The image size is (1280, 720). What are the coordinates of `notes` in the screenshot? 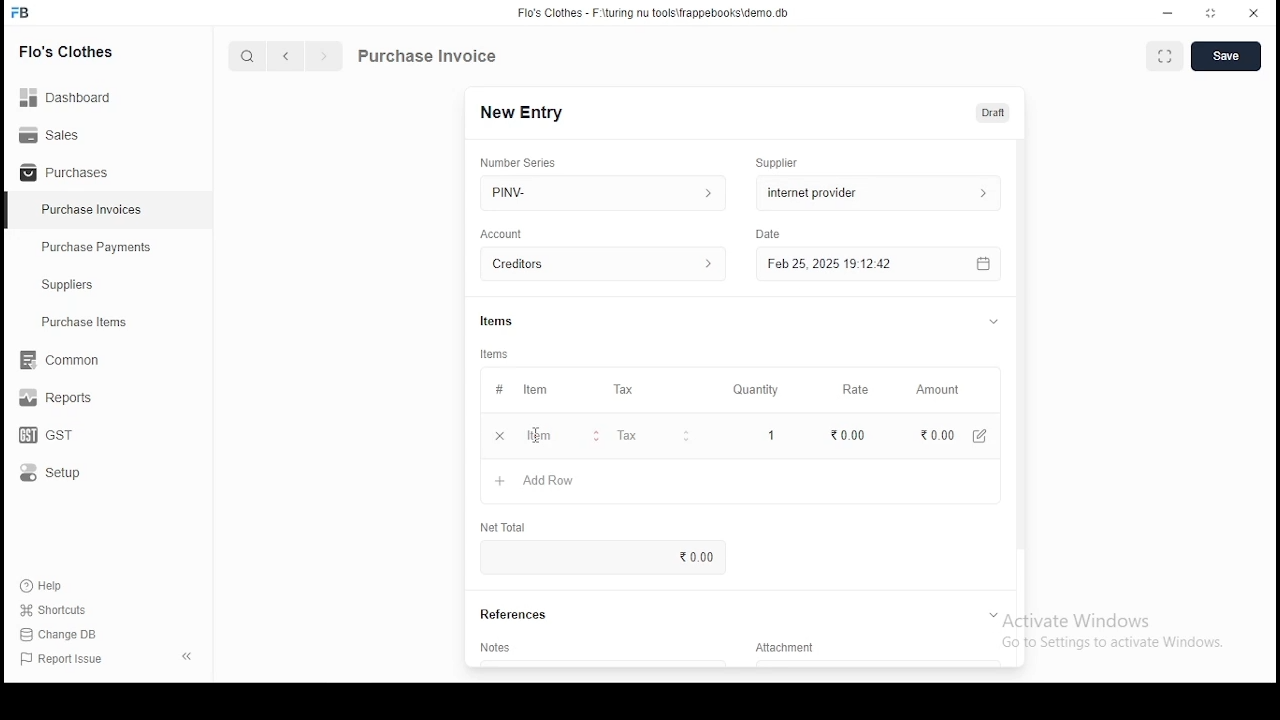 It's located at (496, 647).